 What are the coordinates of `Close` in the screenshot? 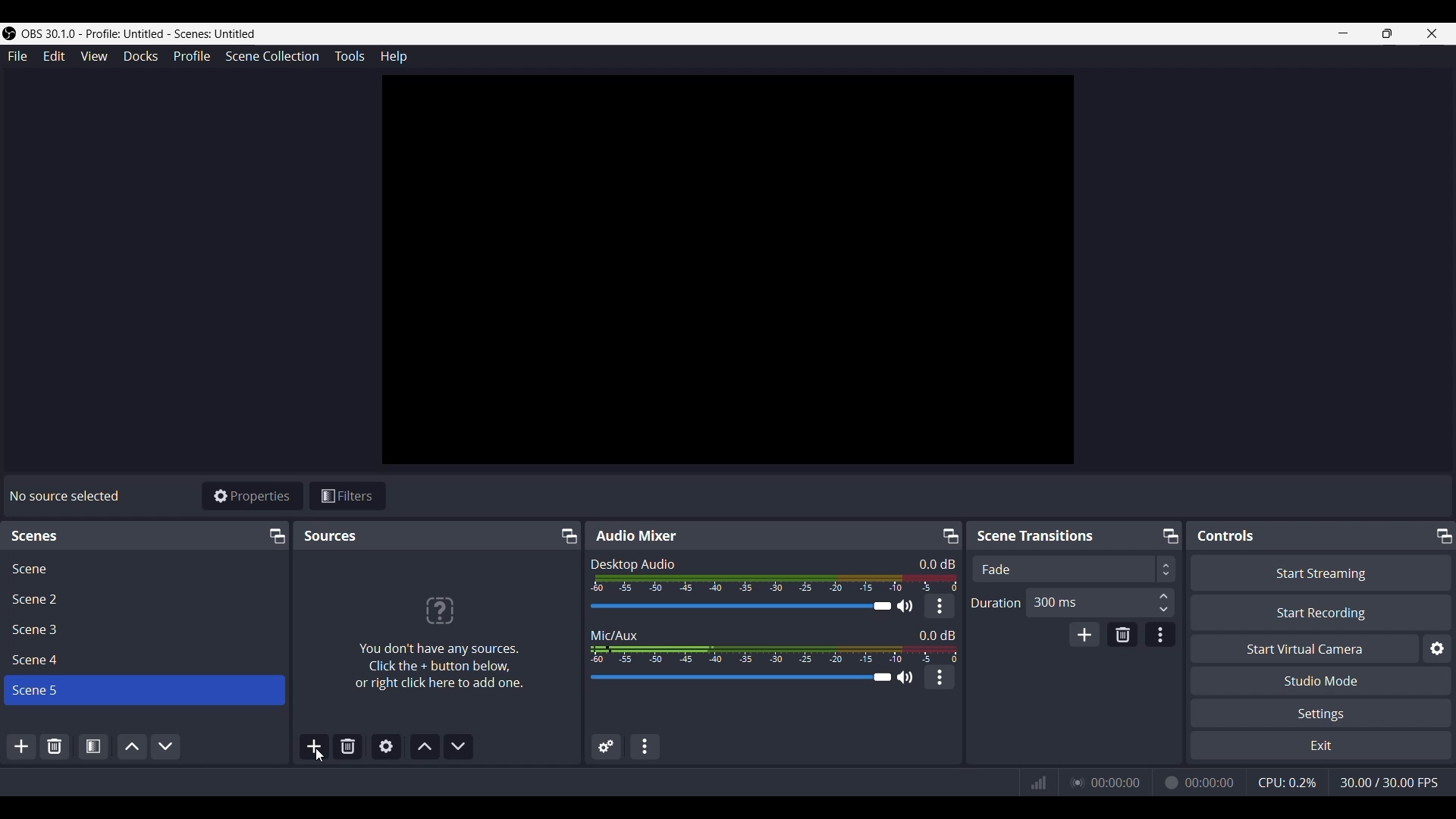 It's located at (1434, 33).